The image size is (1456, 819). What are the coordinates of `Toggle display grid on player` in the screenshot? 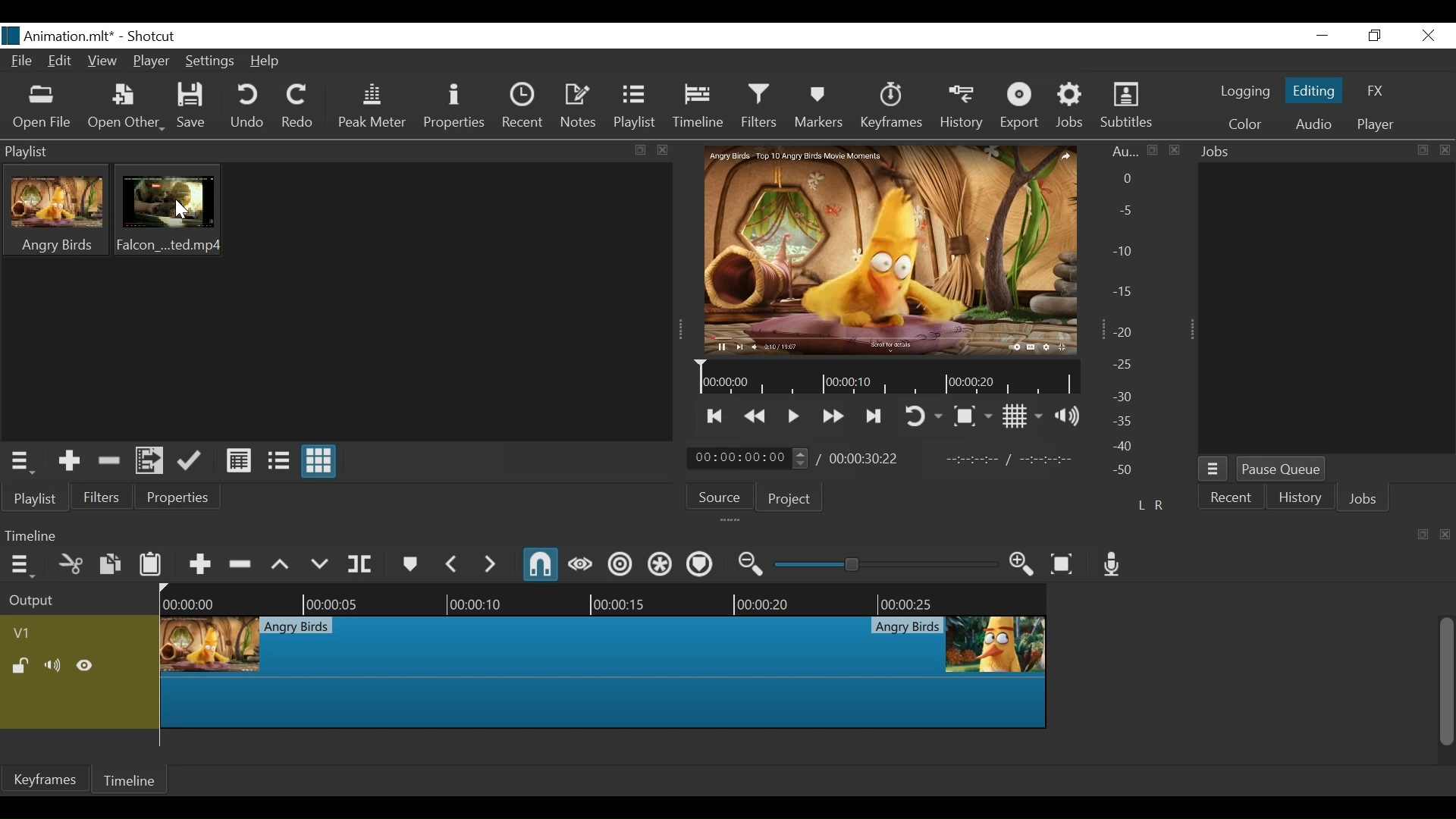 It's located at (1022, 417).